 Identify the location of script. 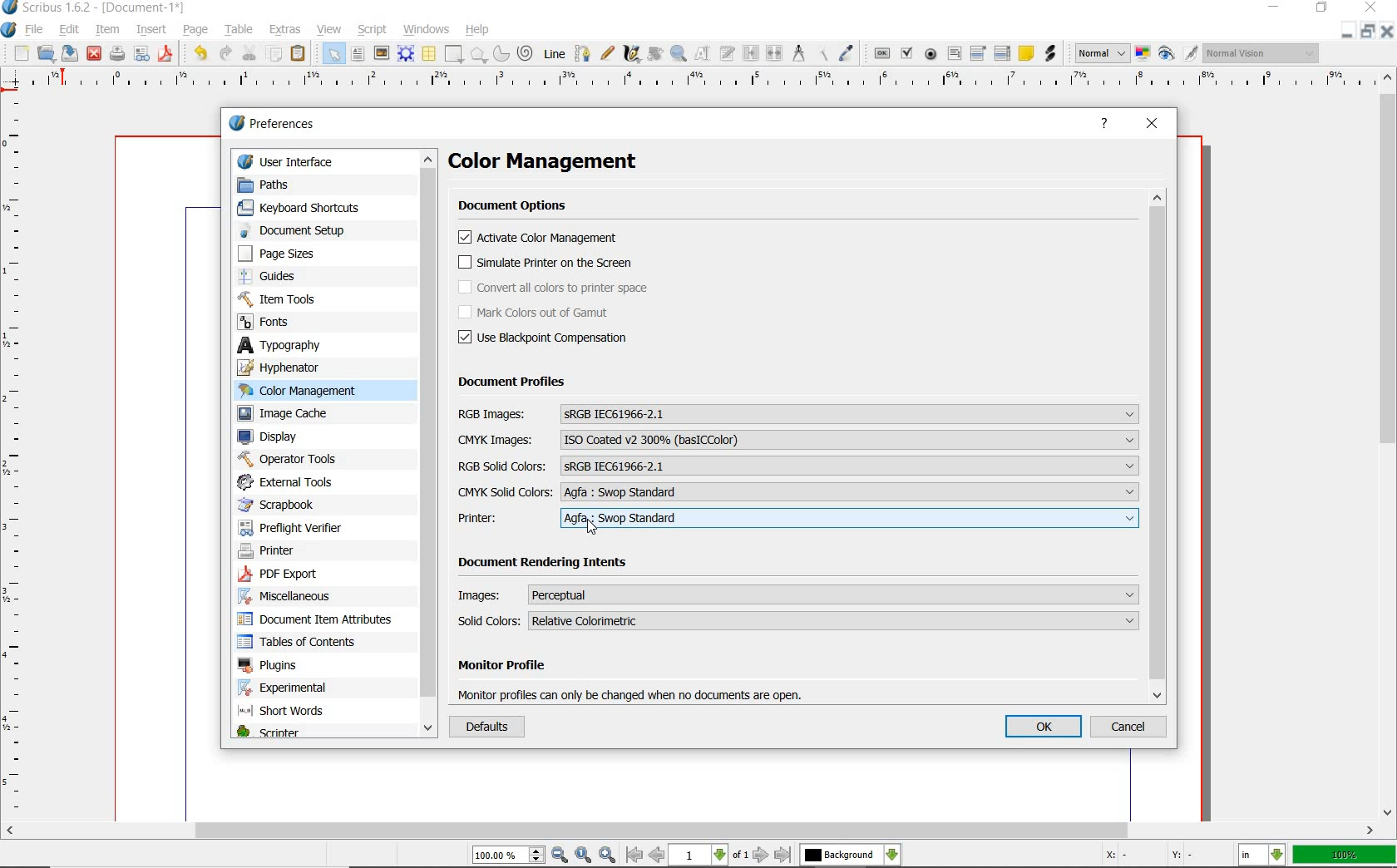
(373, 30).